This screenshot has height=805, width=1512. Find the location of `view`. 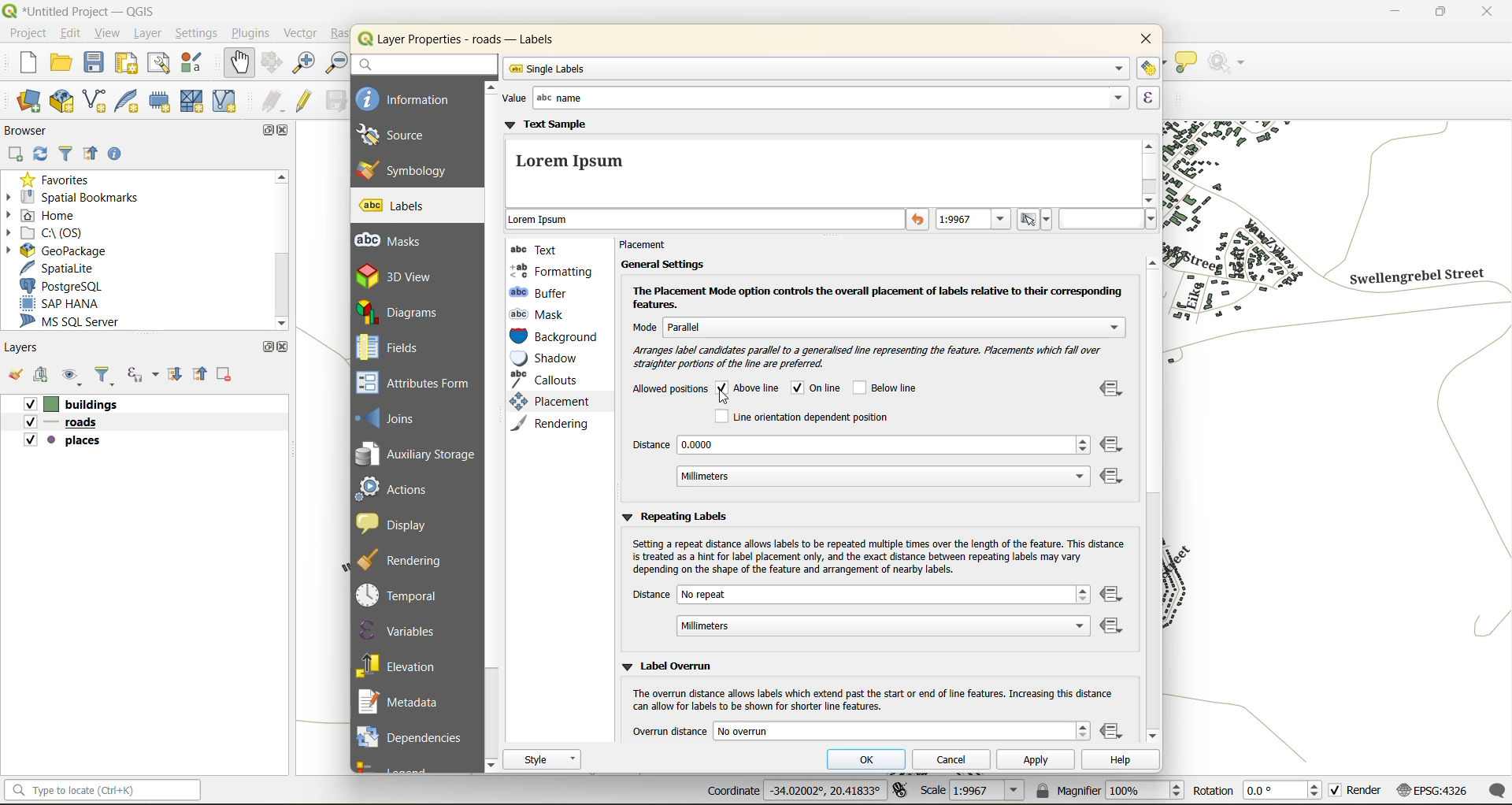

view is located at coordinates (108, 34).